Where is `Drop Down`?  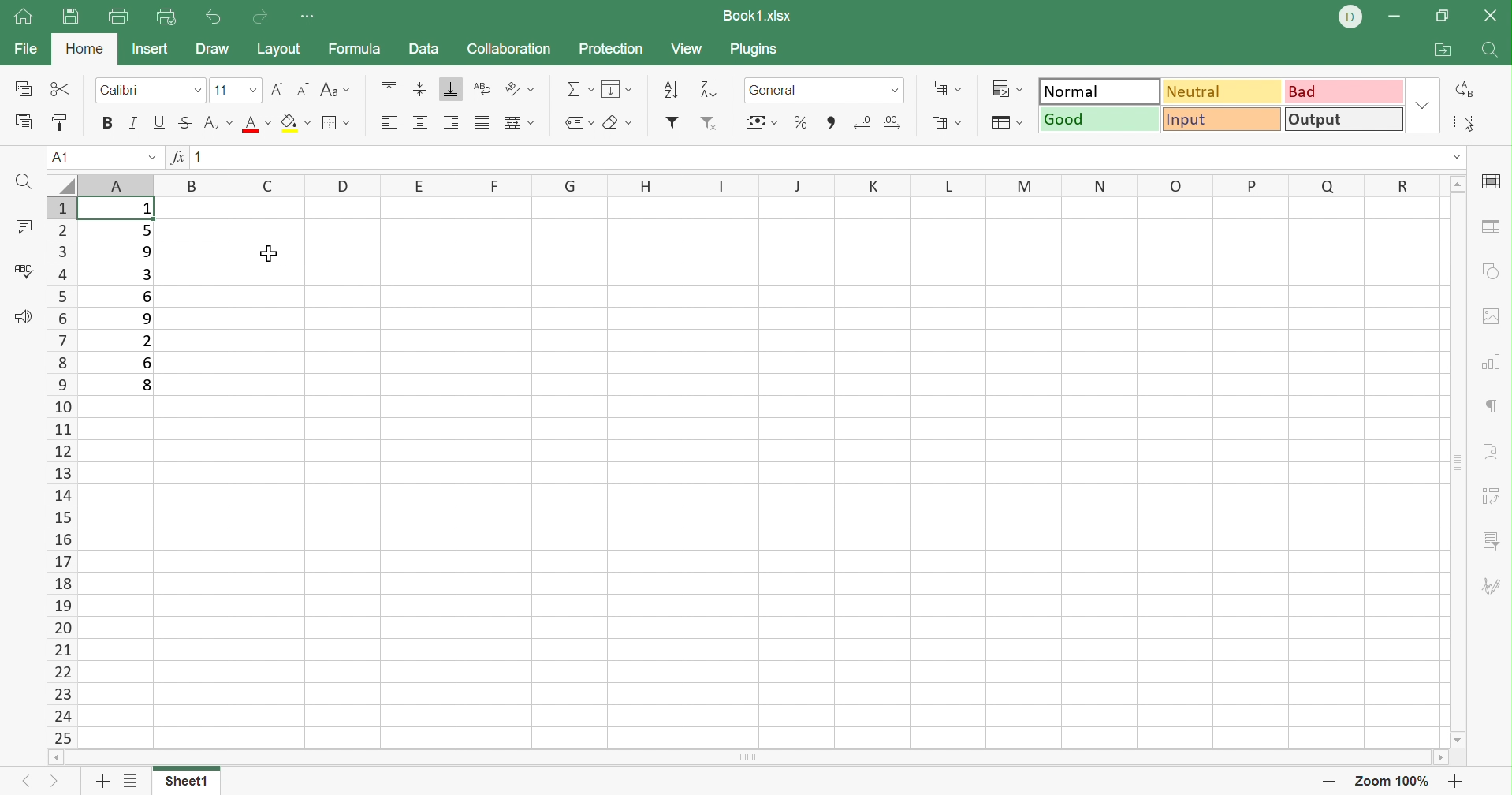 Drop Down is located at coordinates (250, 91).